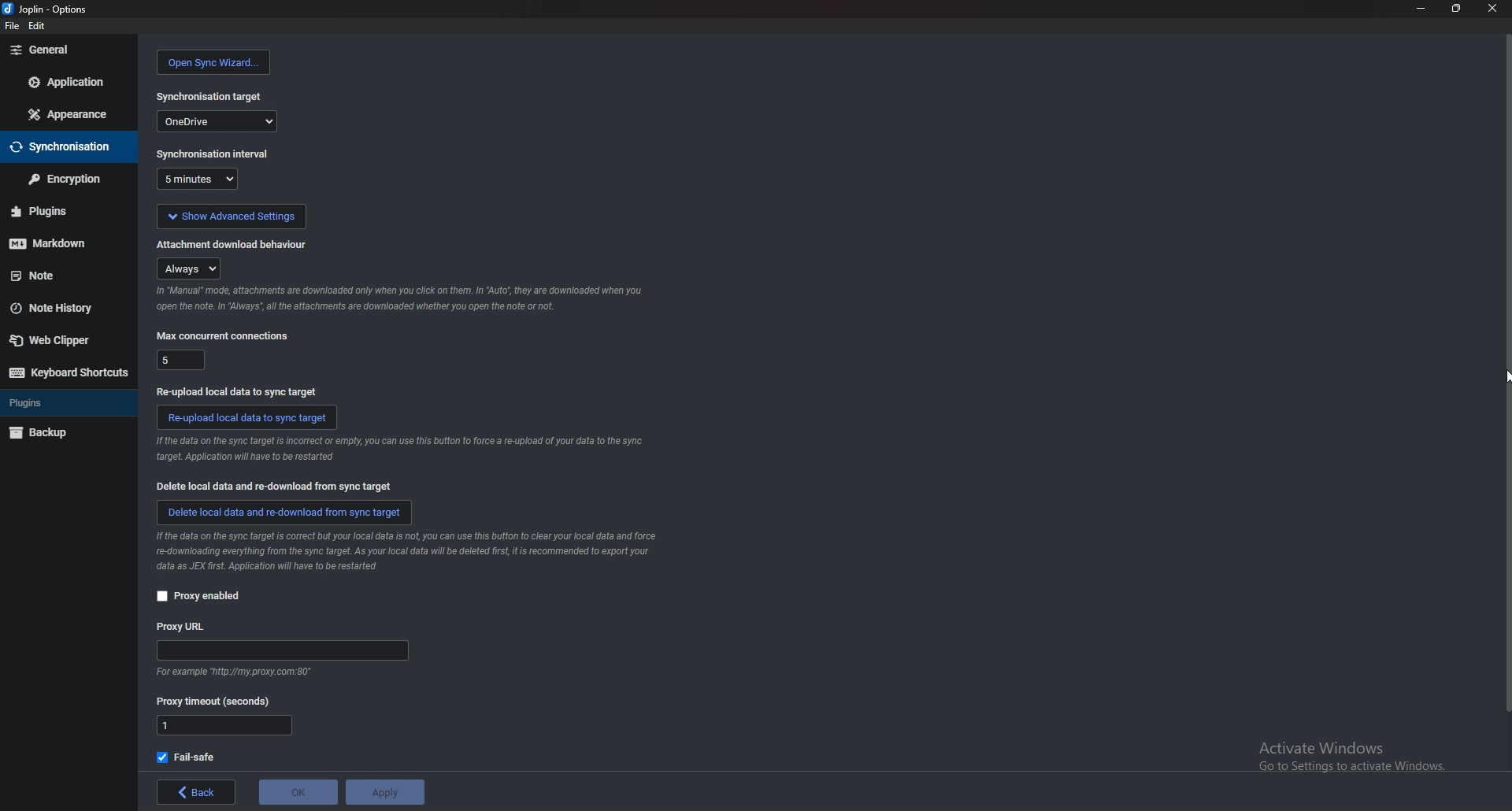  What do you see at coordinates (1491, 9) in the screenshot?
I see `close` at bounding box center [1491, 9].